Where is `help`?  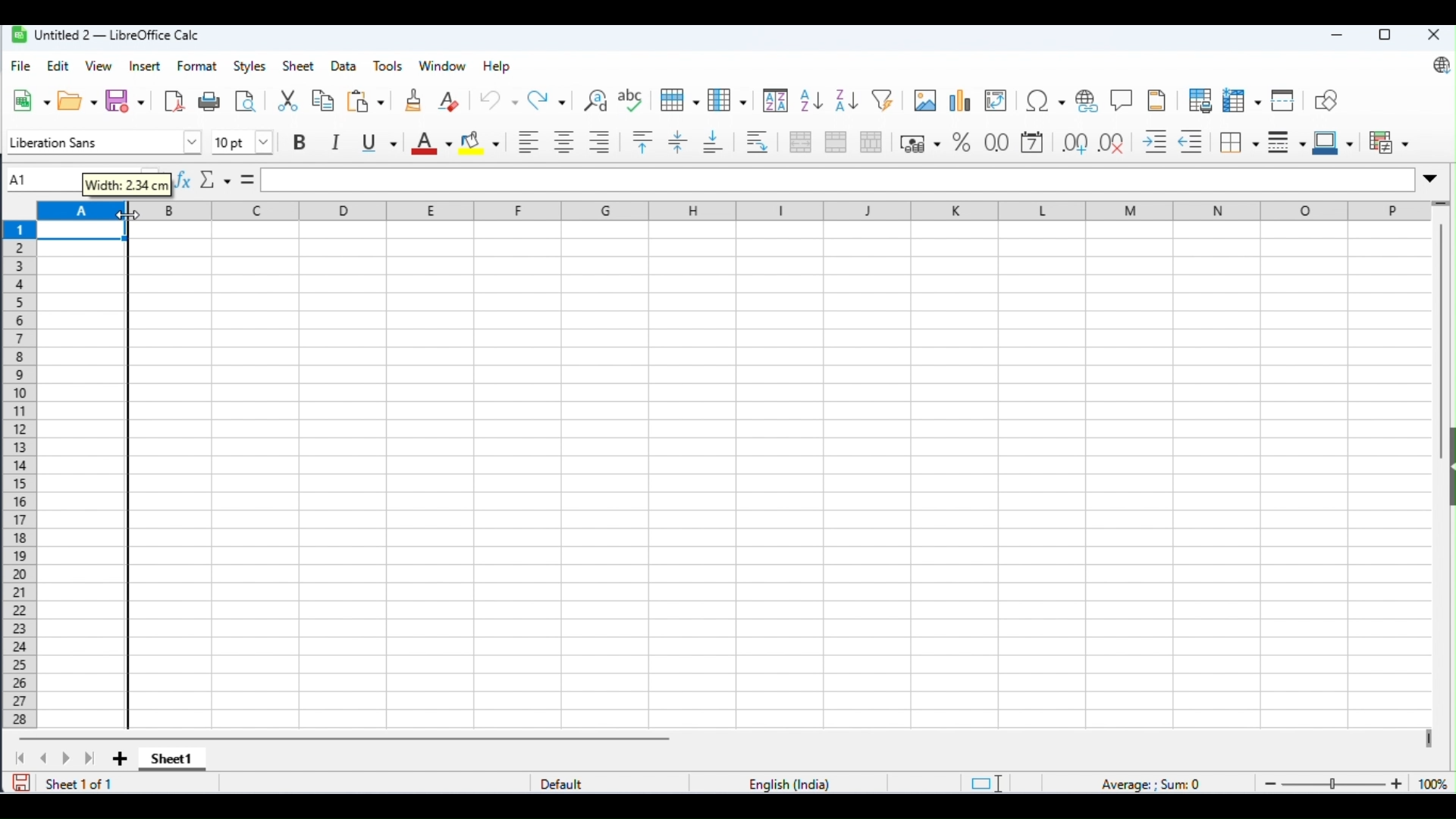
help is located at coordinates (497, 67).